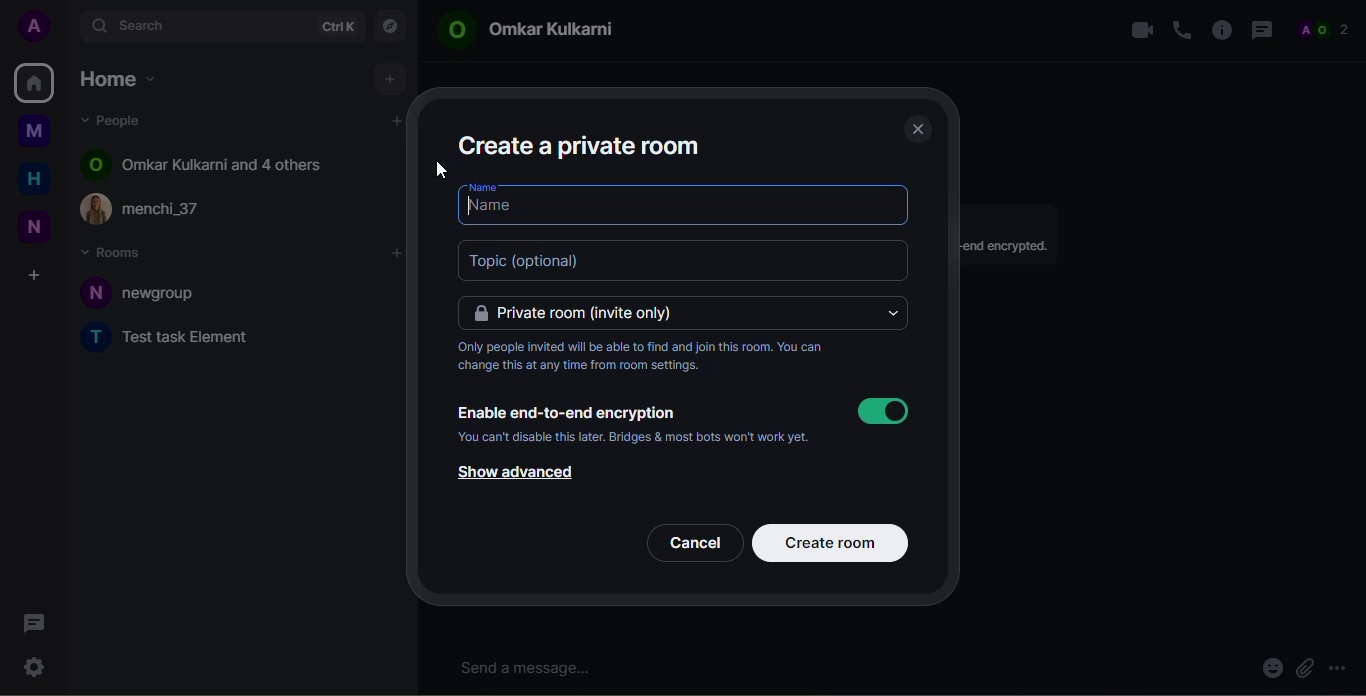 The height and width of the screenshot is (696, 1366). Describe the element at coordinates (37, 25) in the screenshot. I see `profile` at that location.